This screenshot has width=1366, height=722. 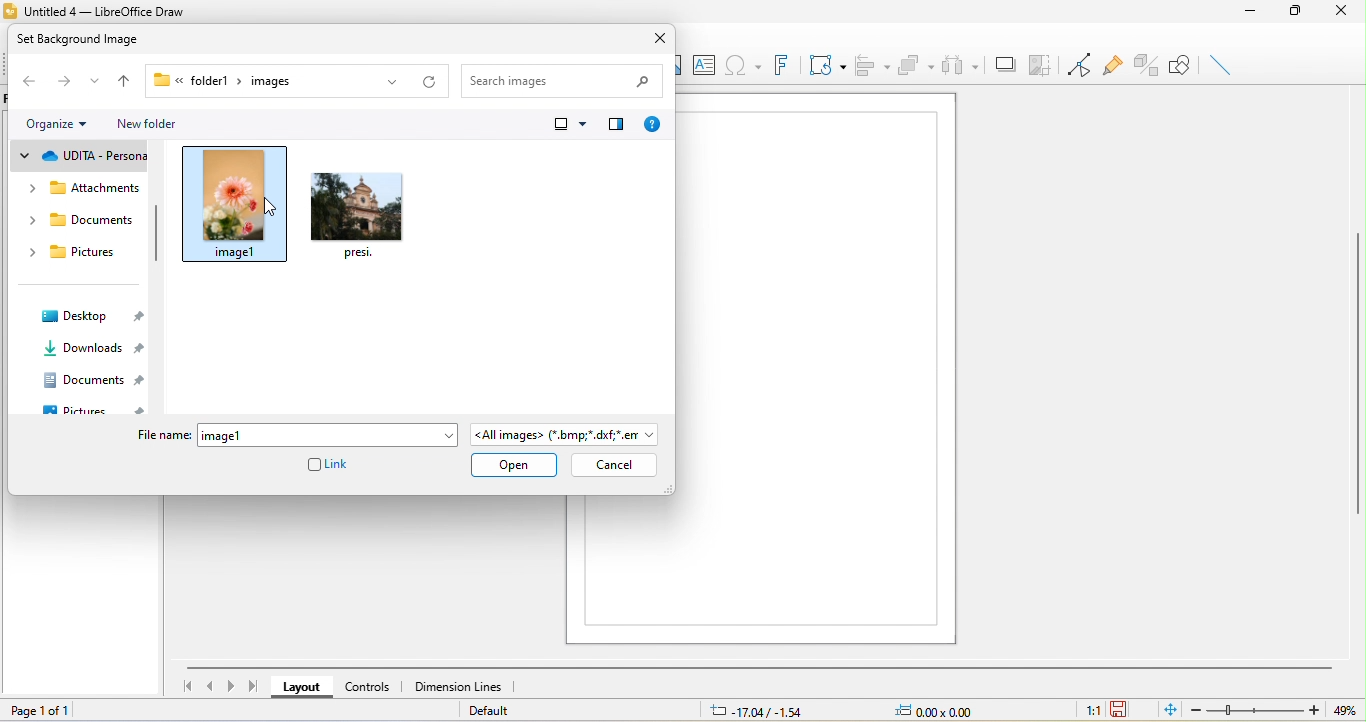 I want to click on 1:1, so click(x=1080, y=711).